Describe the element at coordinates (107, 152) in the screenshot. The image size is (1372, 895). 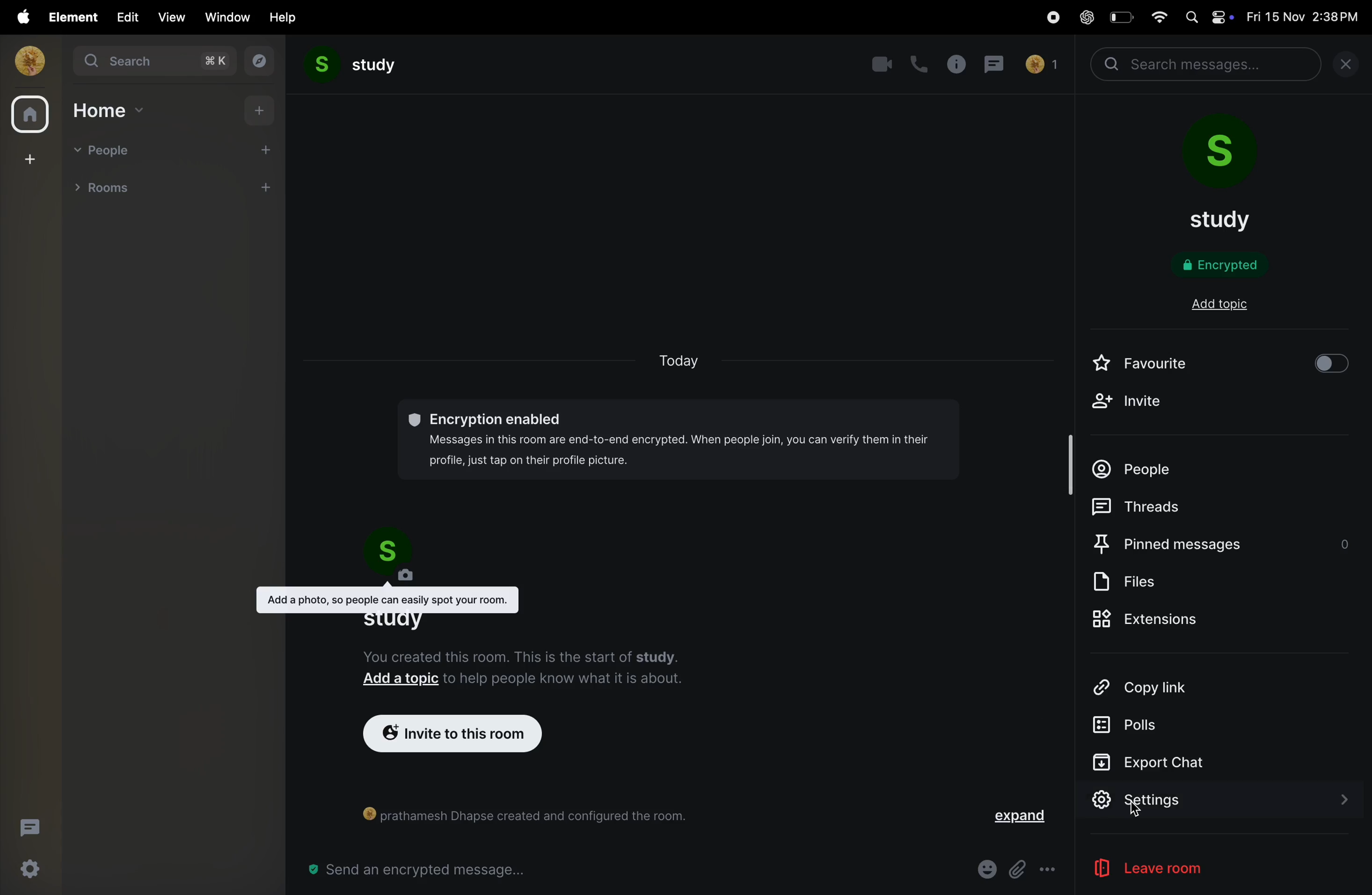
I see `people` at that location.